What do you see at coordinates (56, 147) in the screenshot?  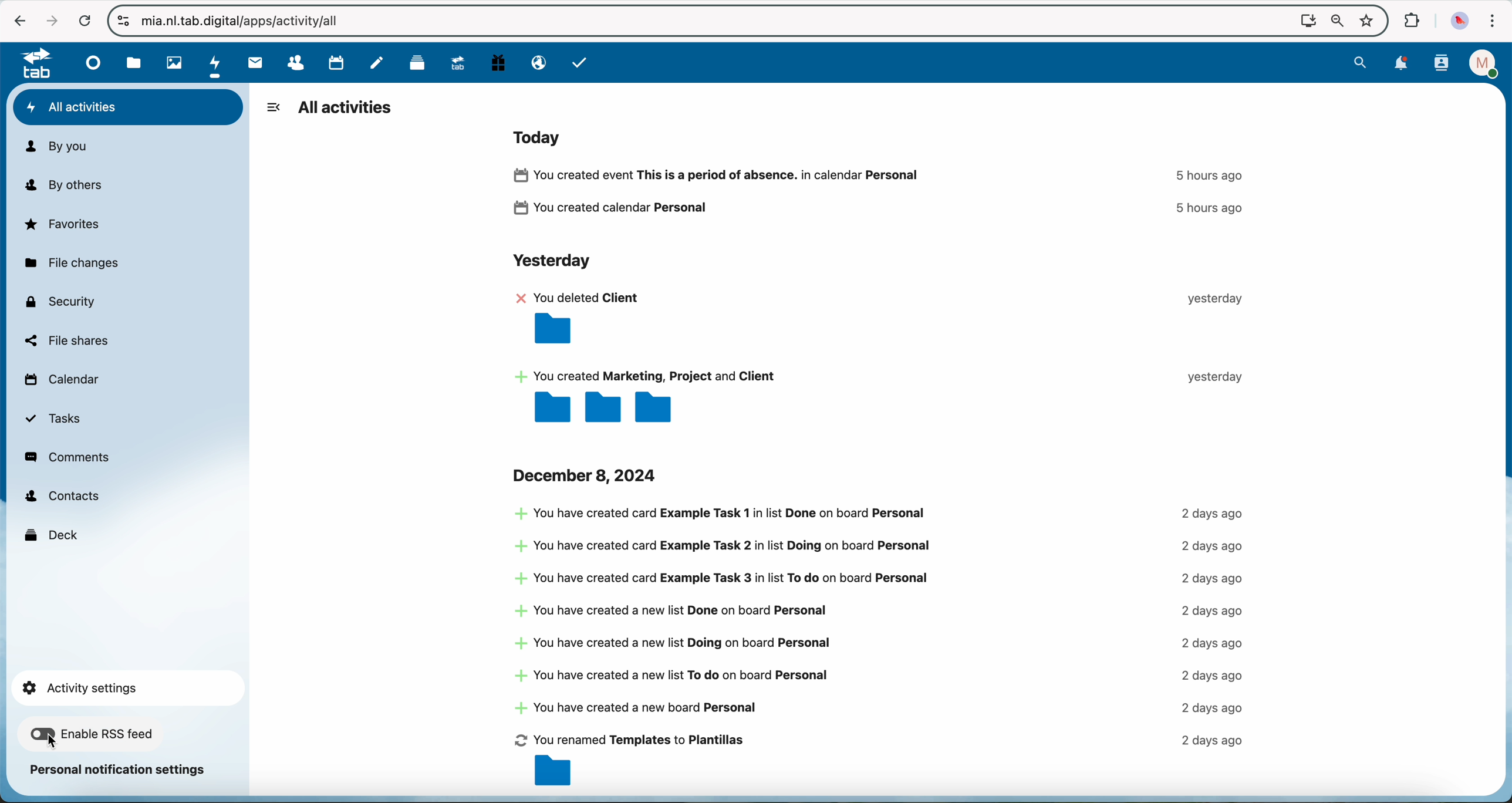 I see `by you` at bounding box center [56, 147].